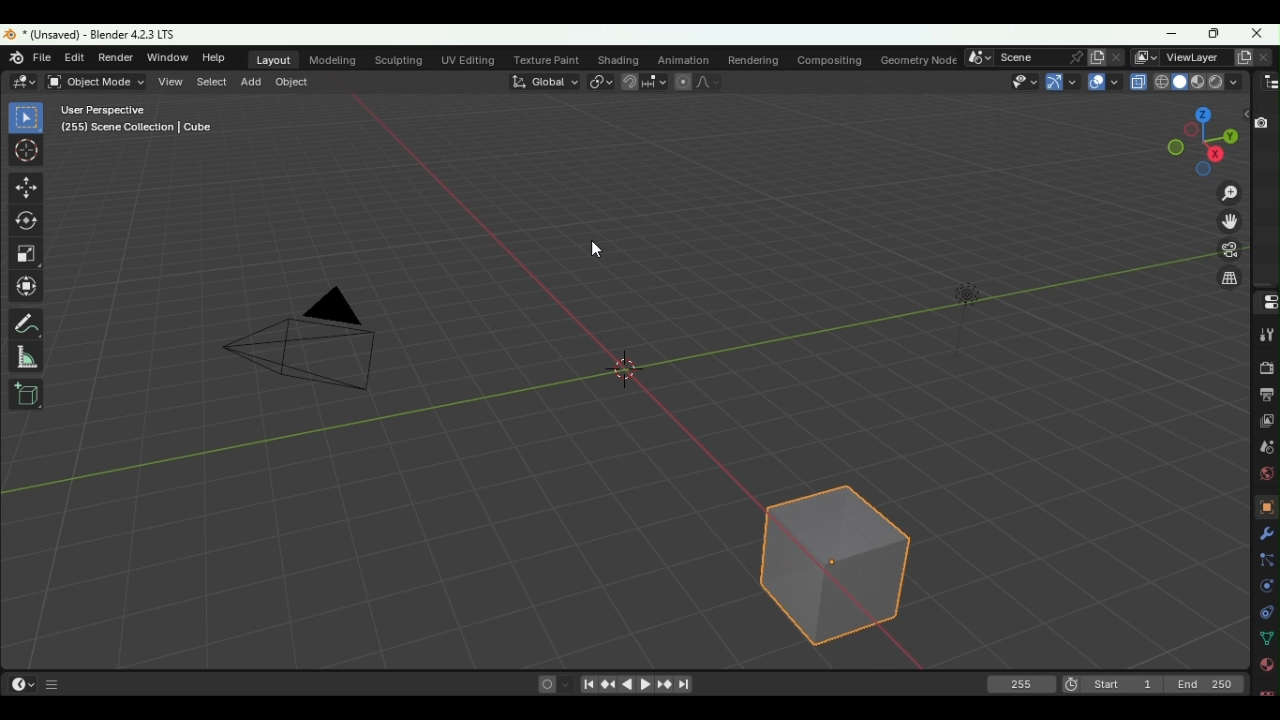  I want to click on Jump to first/last frame in frame range, so click(684, 685).